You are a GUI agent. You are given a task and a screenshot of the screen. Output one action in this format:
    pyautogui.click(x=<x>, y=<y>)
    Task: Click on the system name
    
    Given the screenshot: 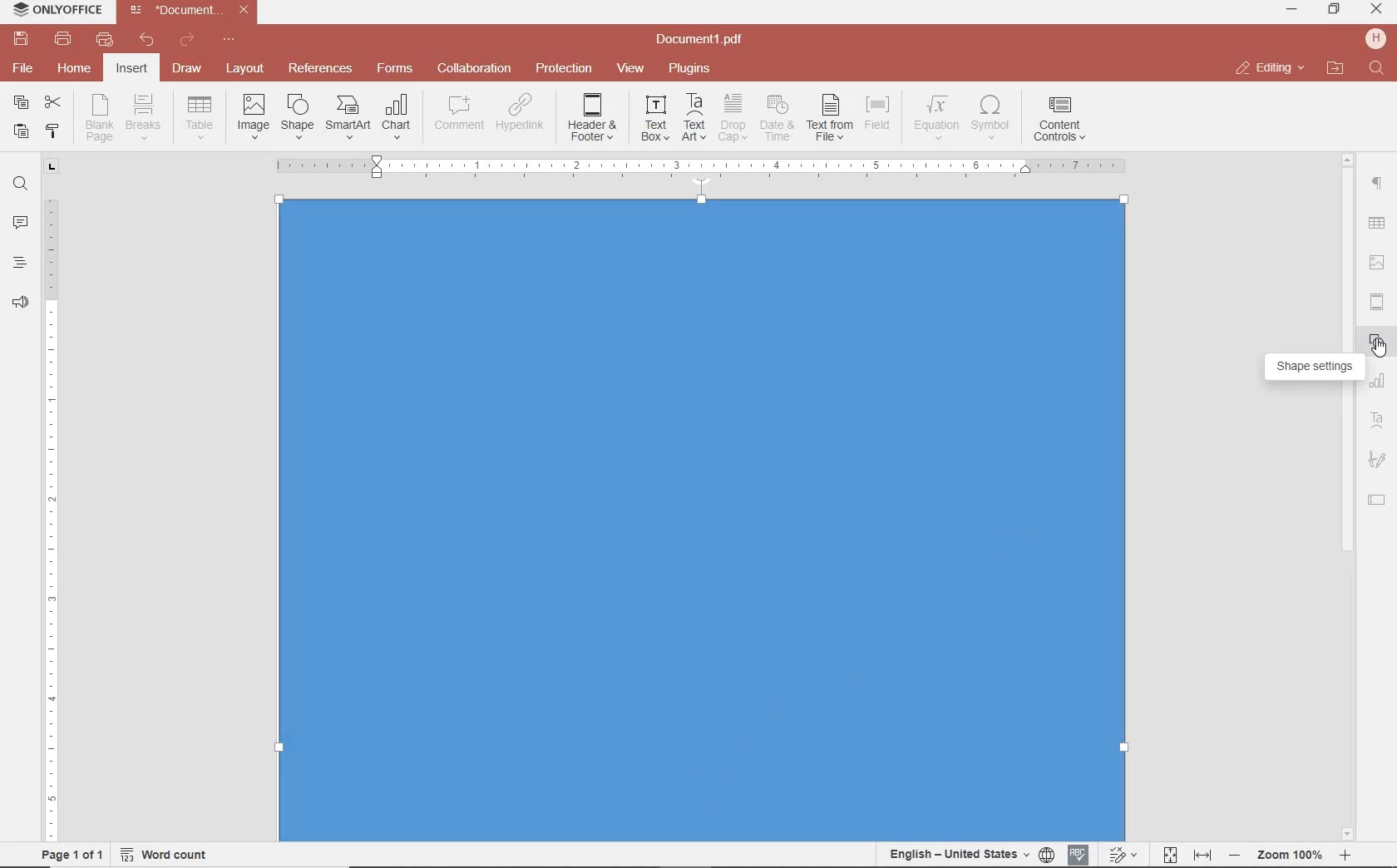 What is the action you would take?
    pyautogui.click(x=53, y=11)
    